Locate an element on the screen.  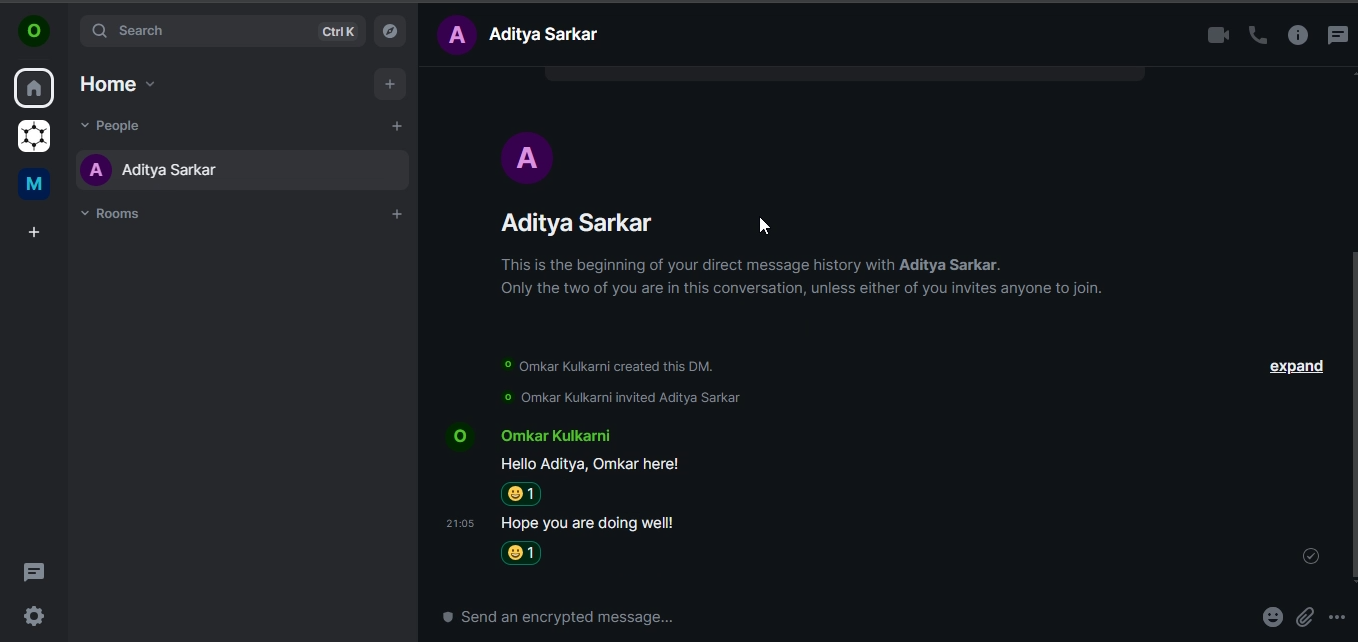
aditya sarkar is located at coordinates (157, 175).